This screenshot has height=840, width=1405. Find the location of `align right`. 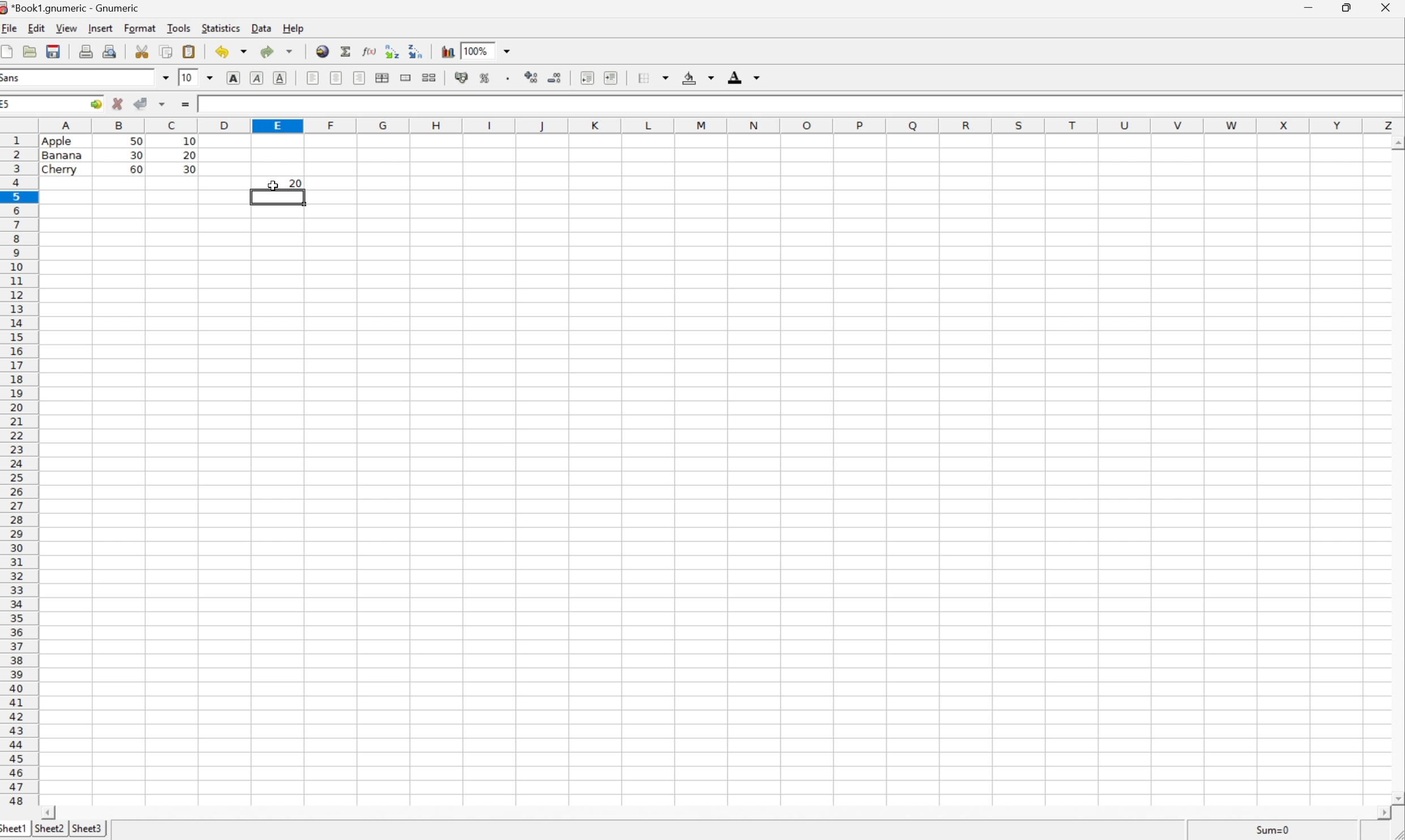

align right is located at coordinates (360, 78).